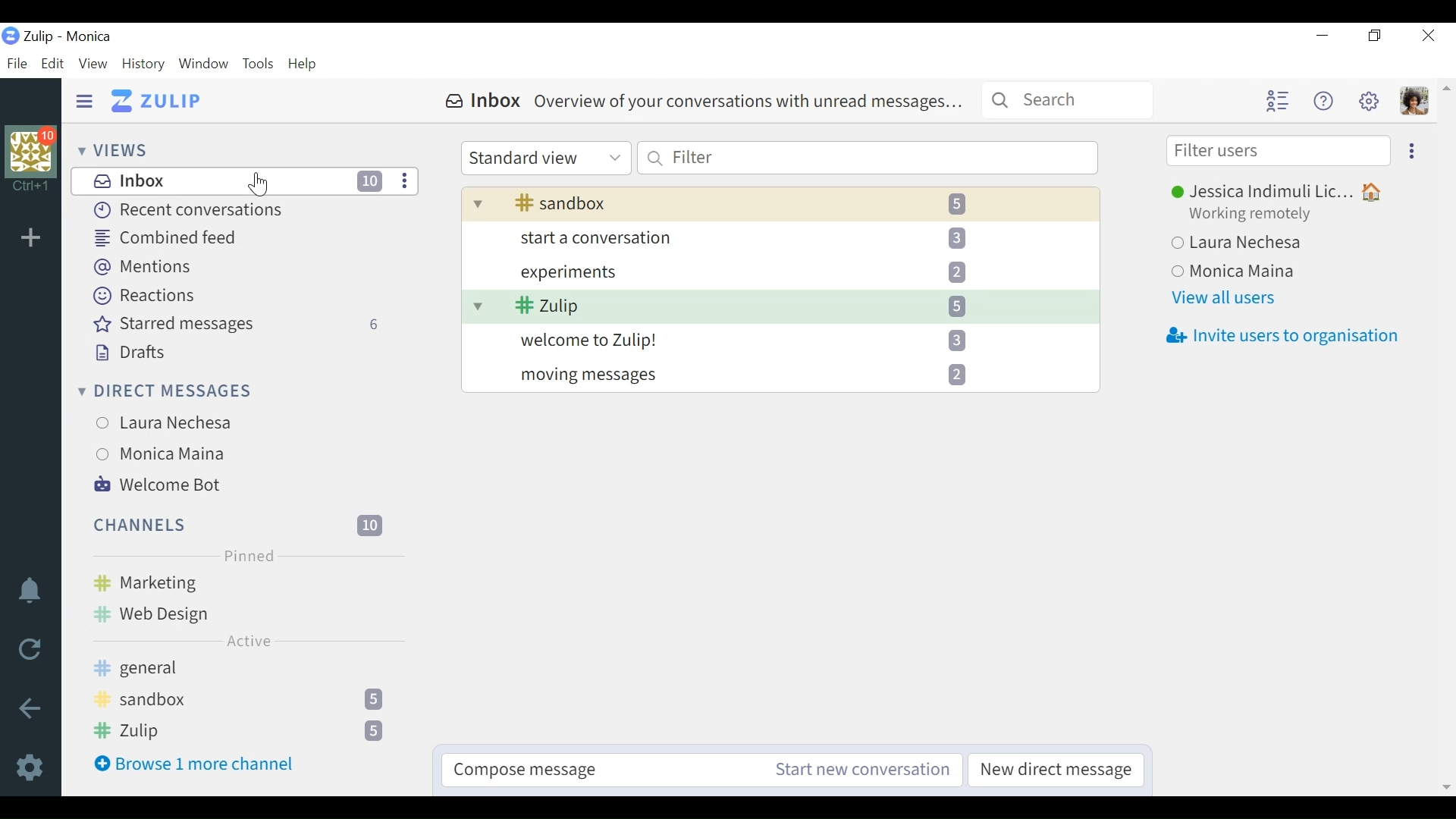 This screenshot has height=819, width=1456. Describe the element at coordinates (1286, 191) in the screenshot. I see `User` at that location.